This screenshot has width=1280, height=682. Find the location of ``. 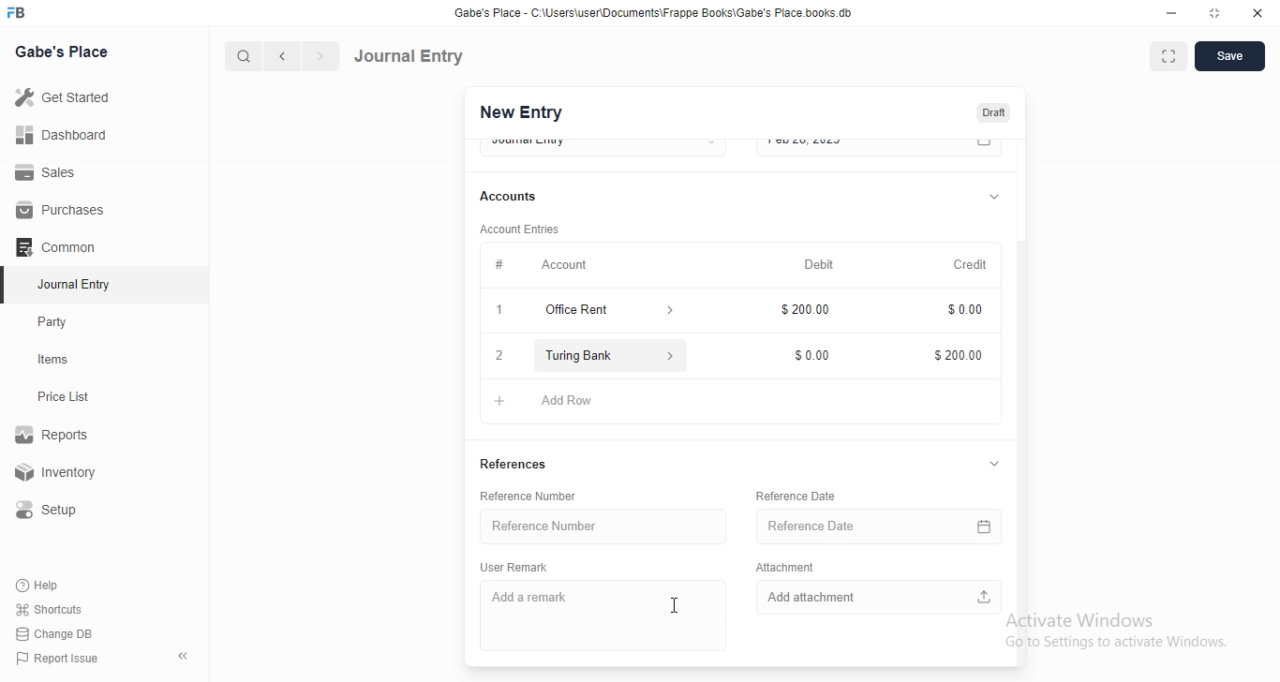

 is located at coordinates (959, 309).